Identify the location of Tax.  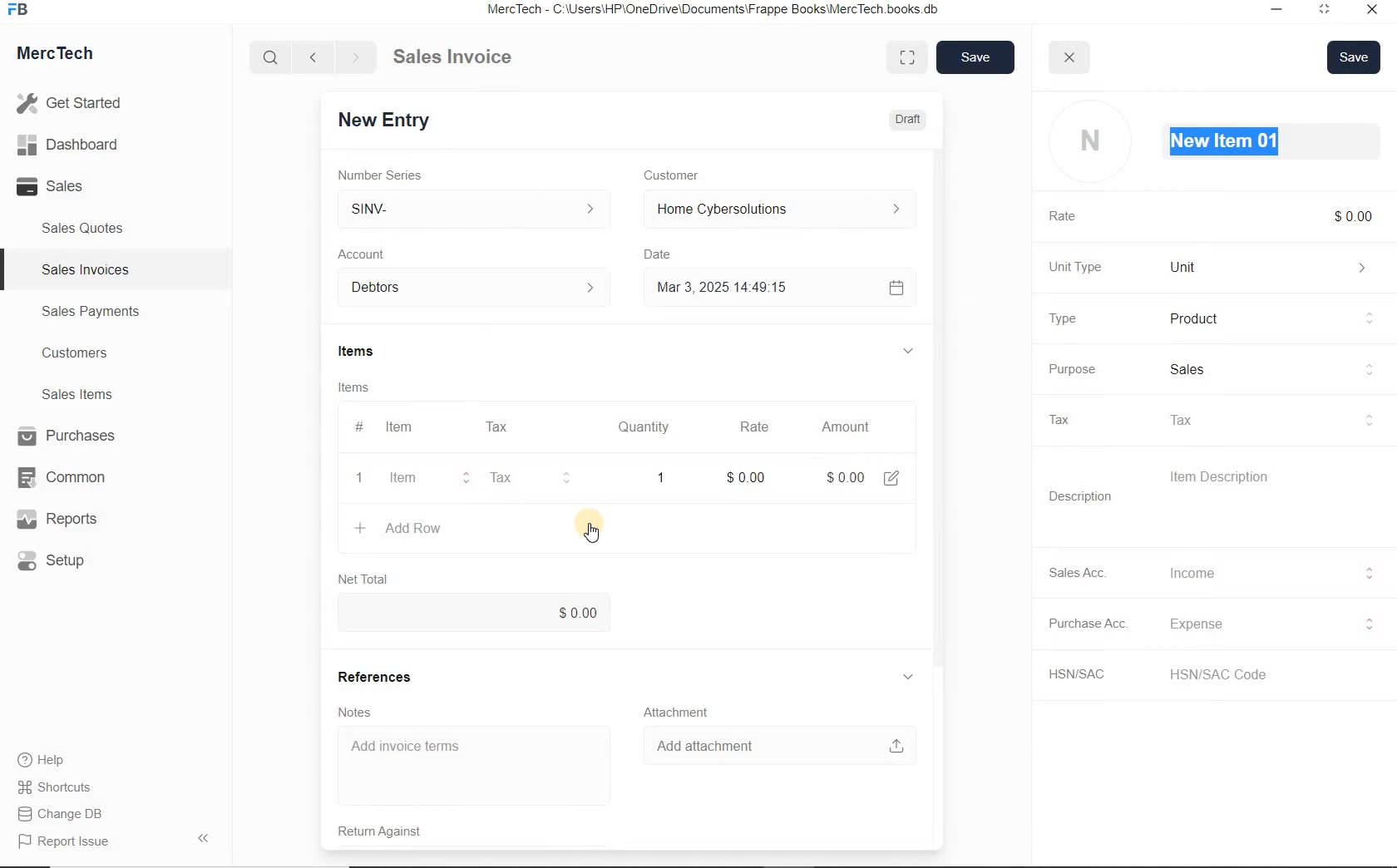
(1066, 419).